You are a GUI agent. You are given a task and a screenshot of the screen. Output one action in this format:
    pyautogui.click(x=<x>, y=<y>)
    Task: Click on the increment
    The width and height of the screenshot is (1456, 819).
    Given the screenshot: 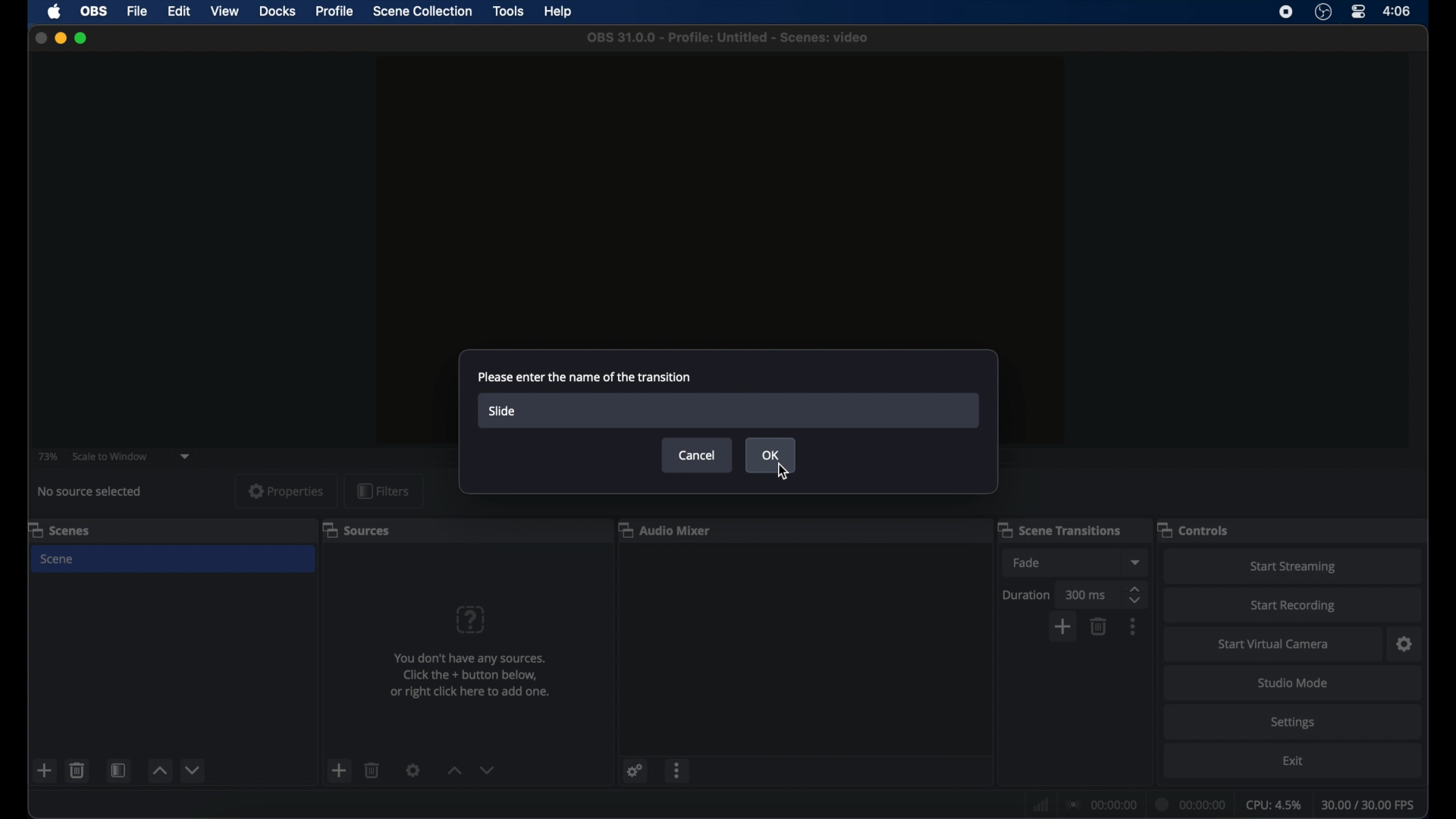 What is the action you would take?
    pyautogui.click(x=159, y=770)
    